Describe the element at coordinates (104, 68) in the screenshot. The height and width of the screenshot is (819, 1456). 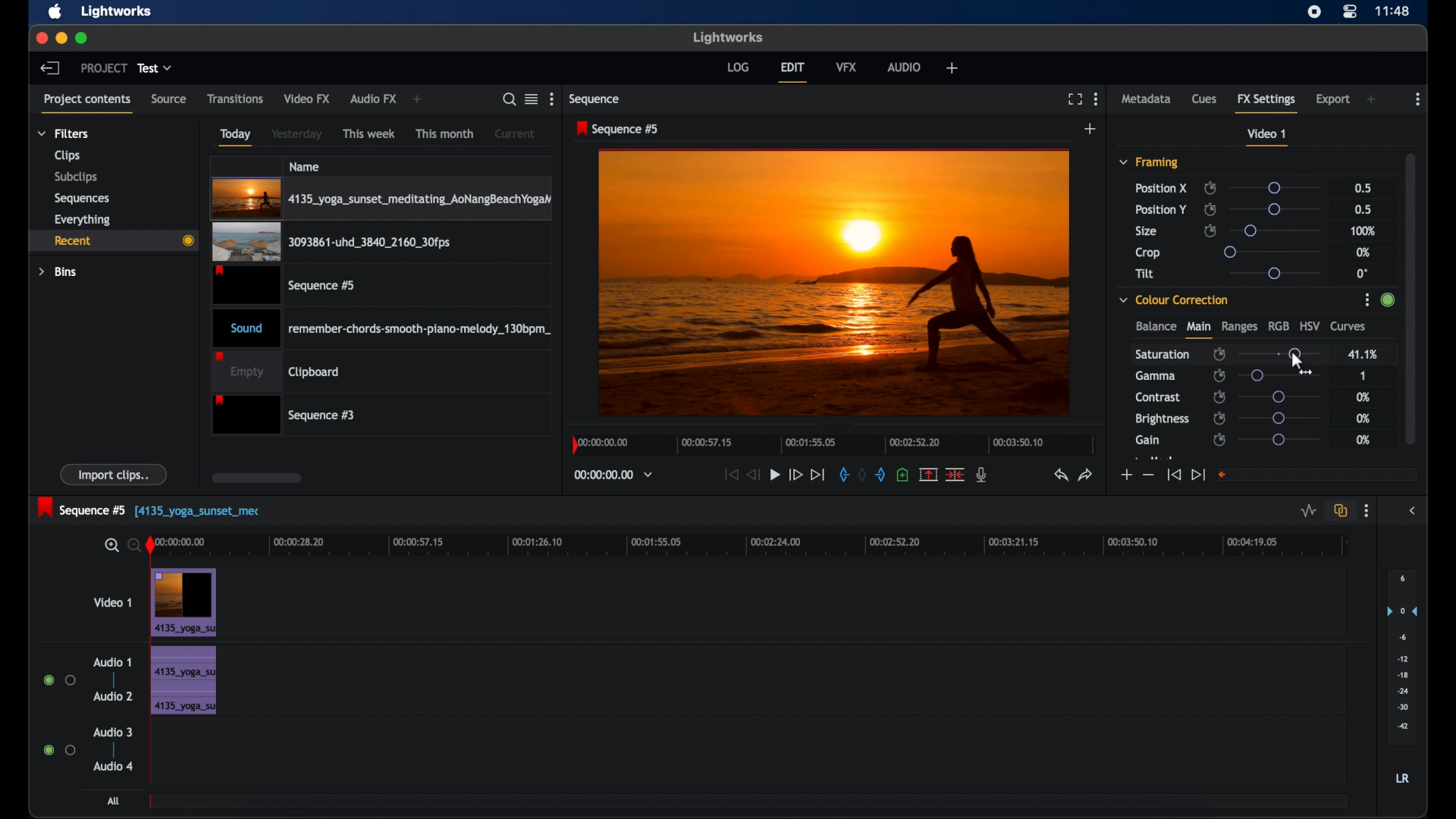
I see `project` at that location.